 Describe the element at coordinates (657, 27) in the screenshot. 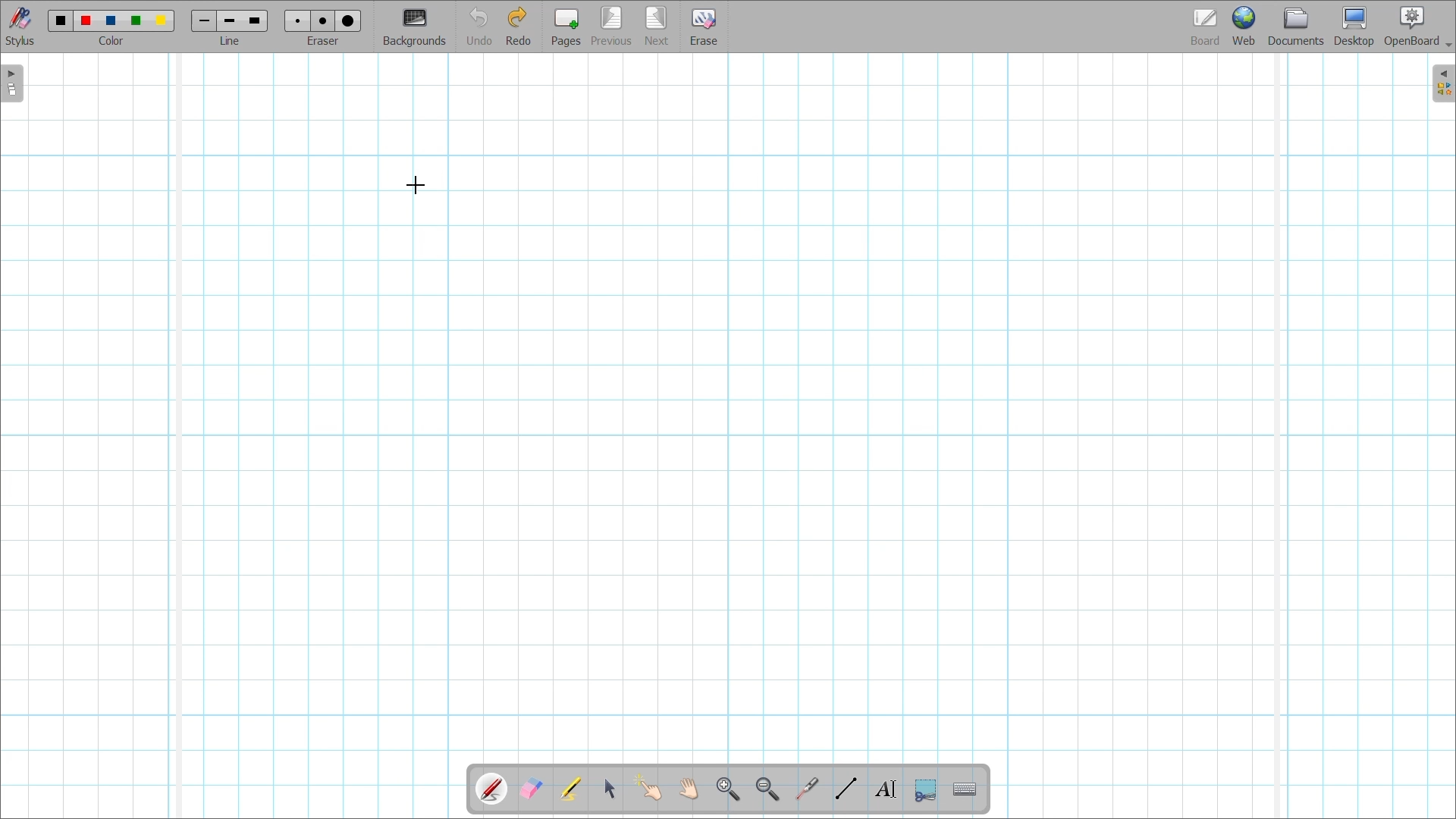

I see `Go to next page` at that location.